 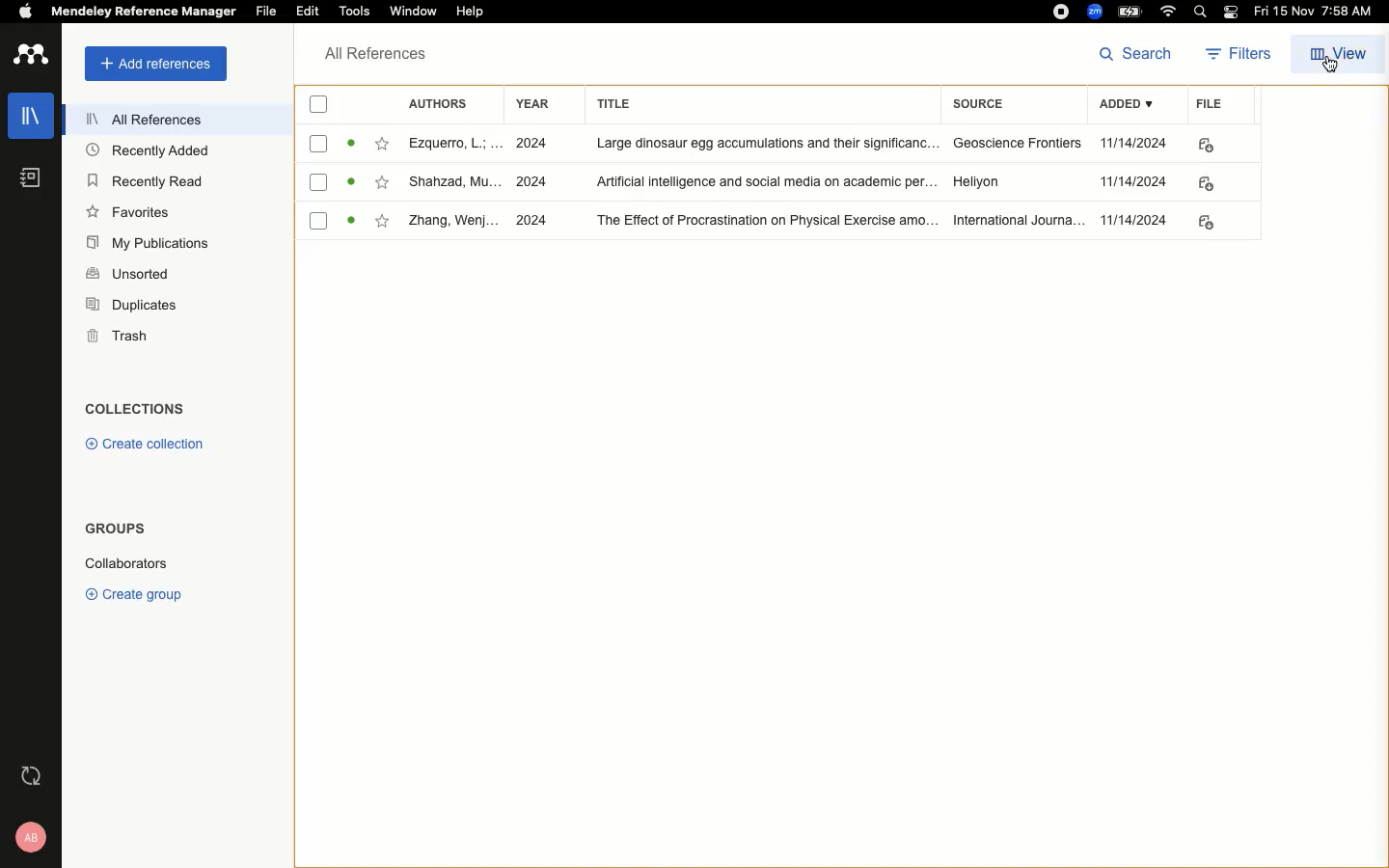 What do you see at coordinates (1130, 12) in the screenshot?
I see `Charge` at bounding box center [1130, 12].